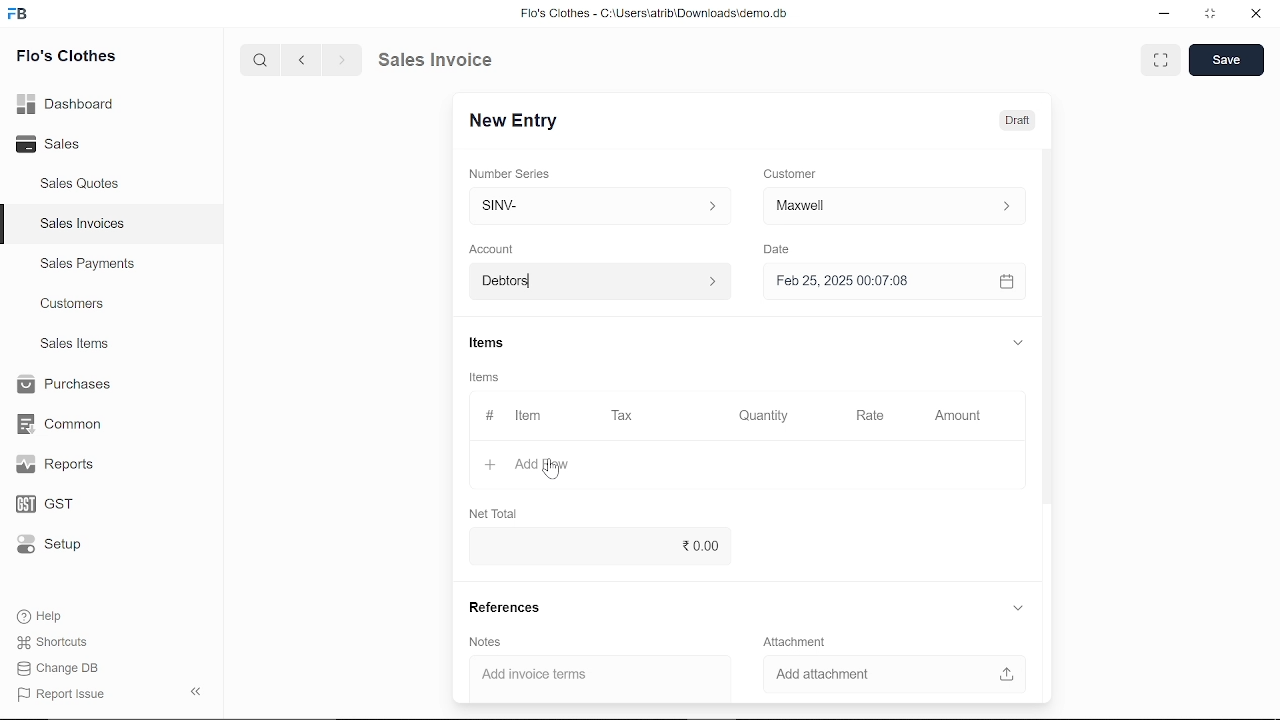 This screenshot has width=1280, height=720. What do you see at coordinates (1020, 609) in the screenshot?
I see `expand` at bounding box center [1020, 609].